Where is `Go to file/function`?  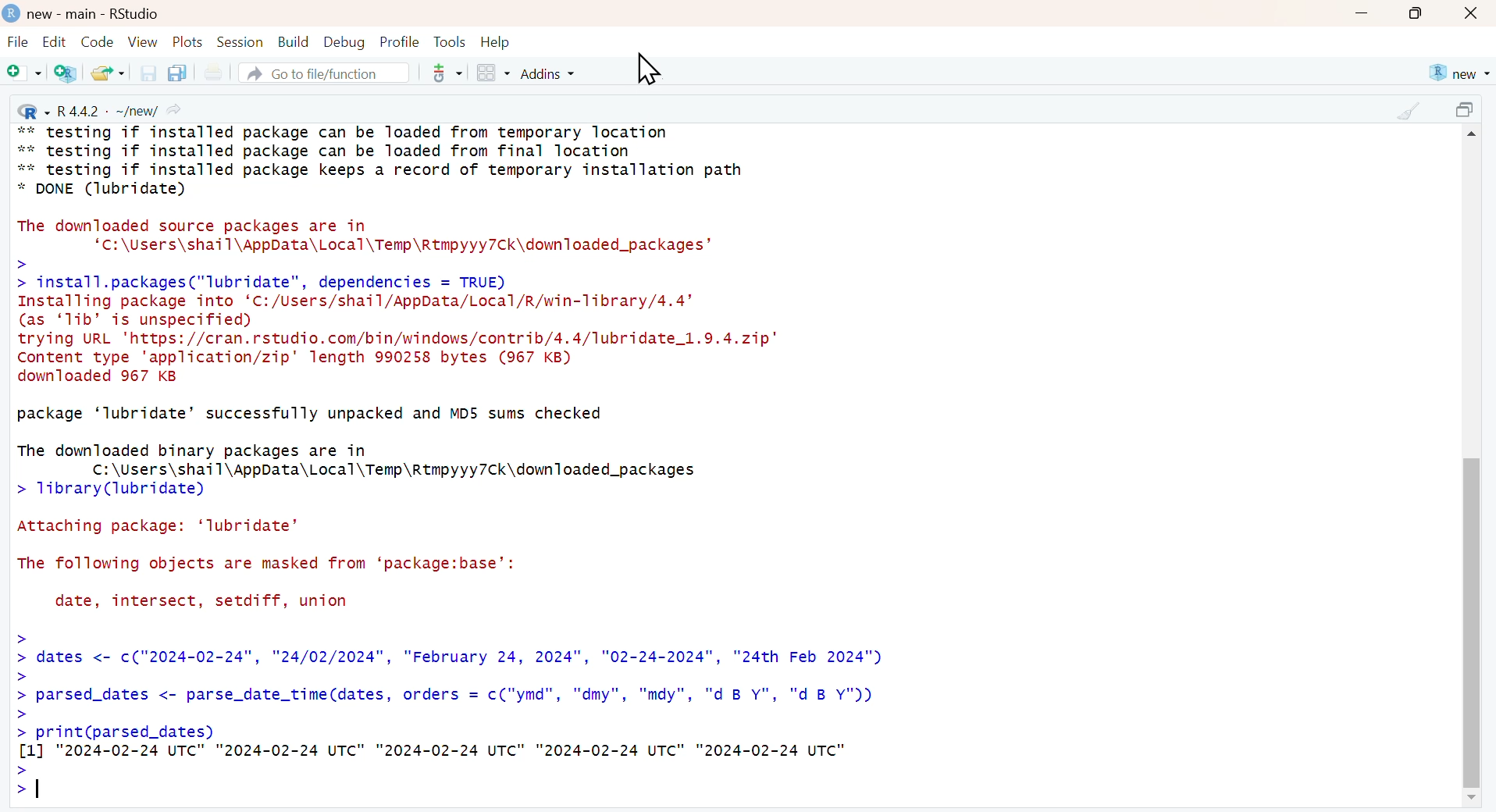 Go to file/function is located at coordinates (322, 73).